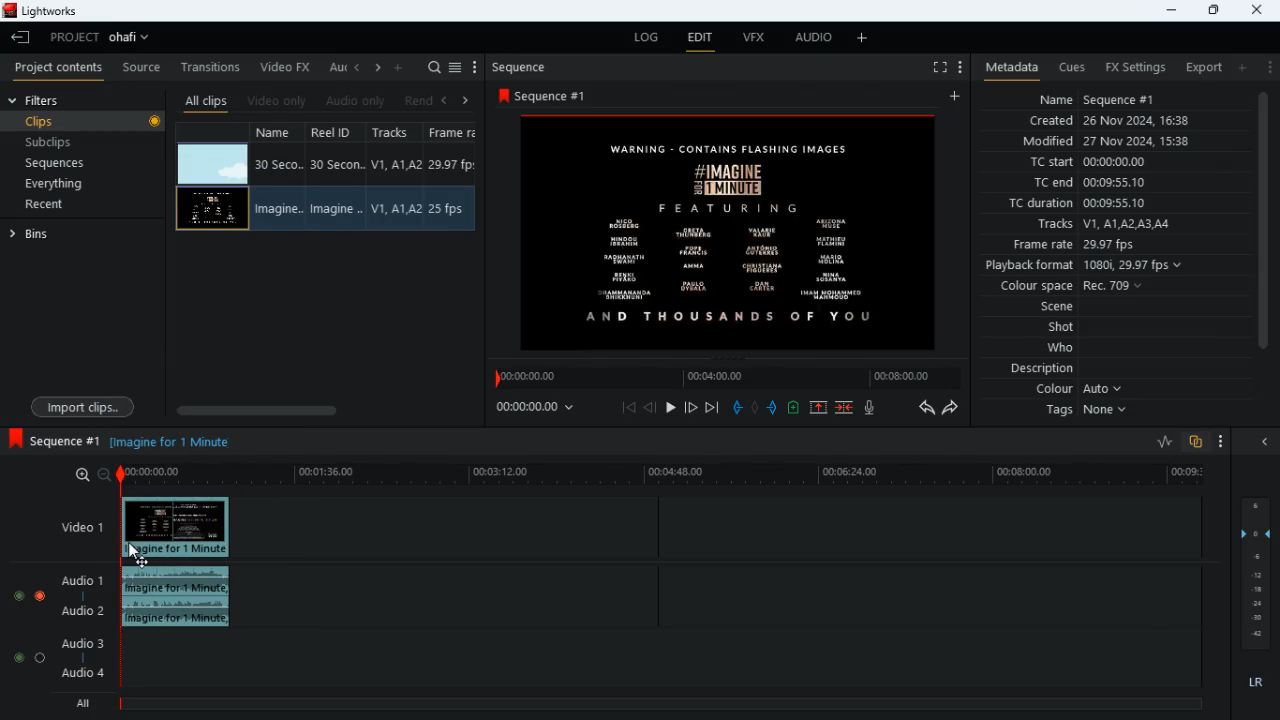 This screenshot has height=720, width=1280. What do you see at coordinates (1056, 348) in the screenshot?
I see `who` at bounding box center [1056, 348].